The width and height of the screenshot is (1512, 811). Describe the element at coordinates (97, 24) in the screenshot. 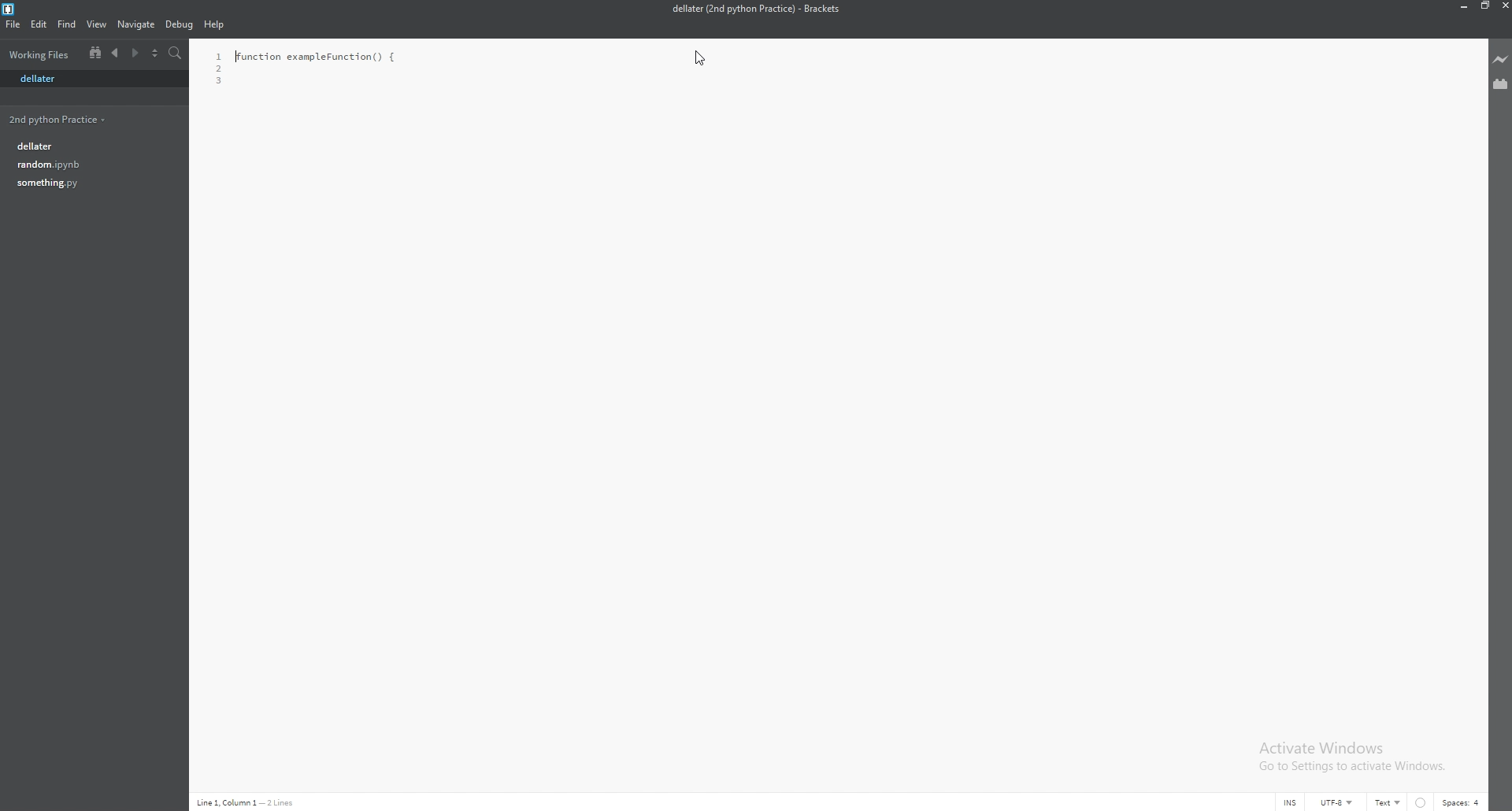

I see `view` at that location.